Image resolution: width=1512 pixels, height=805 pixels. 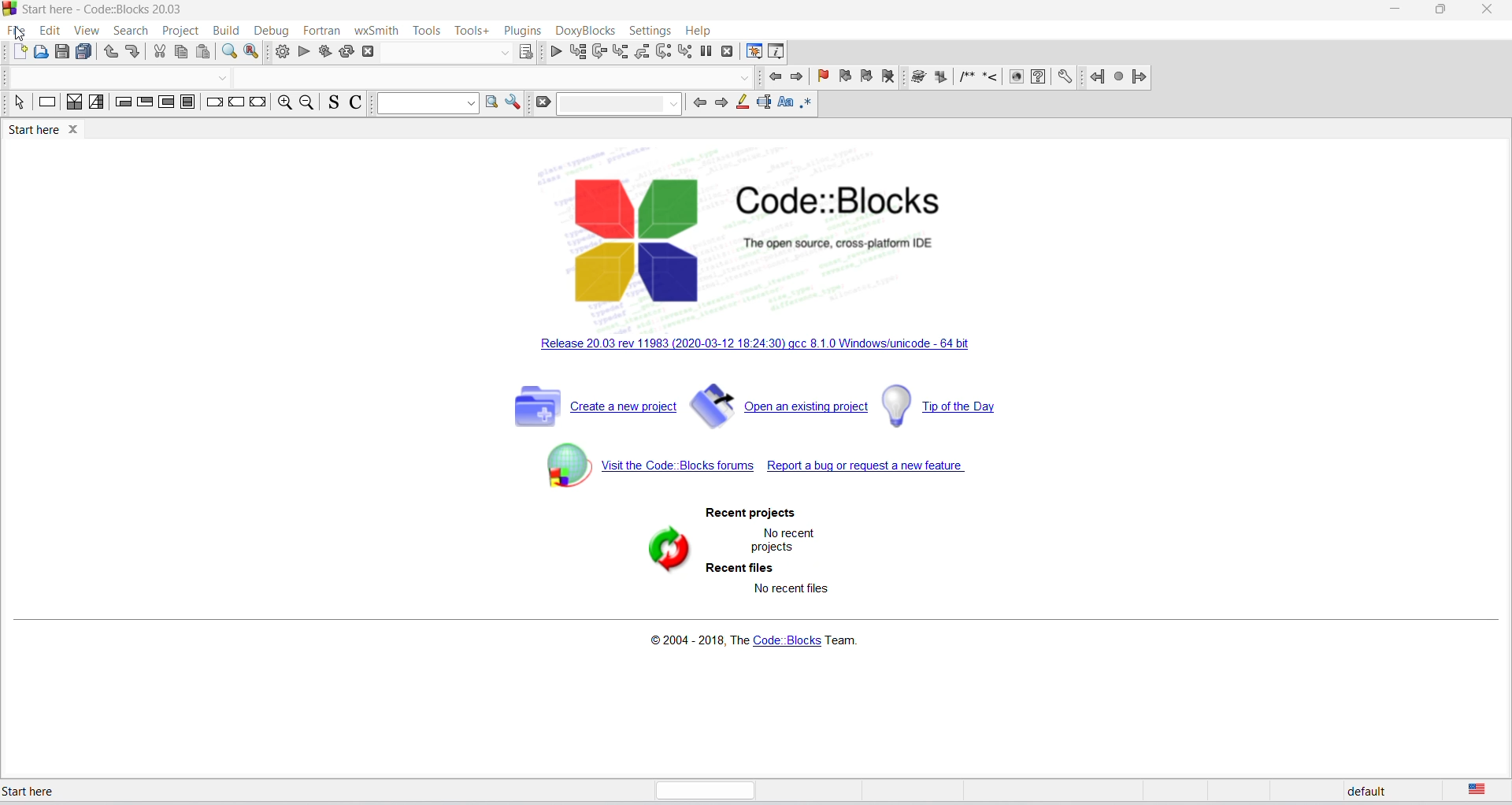 I want to click on remove bookmark, so click(x=889, y=78).